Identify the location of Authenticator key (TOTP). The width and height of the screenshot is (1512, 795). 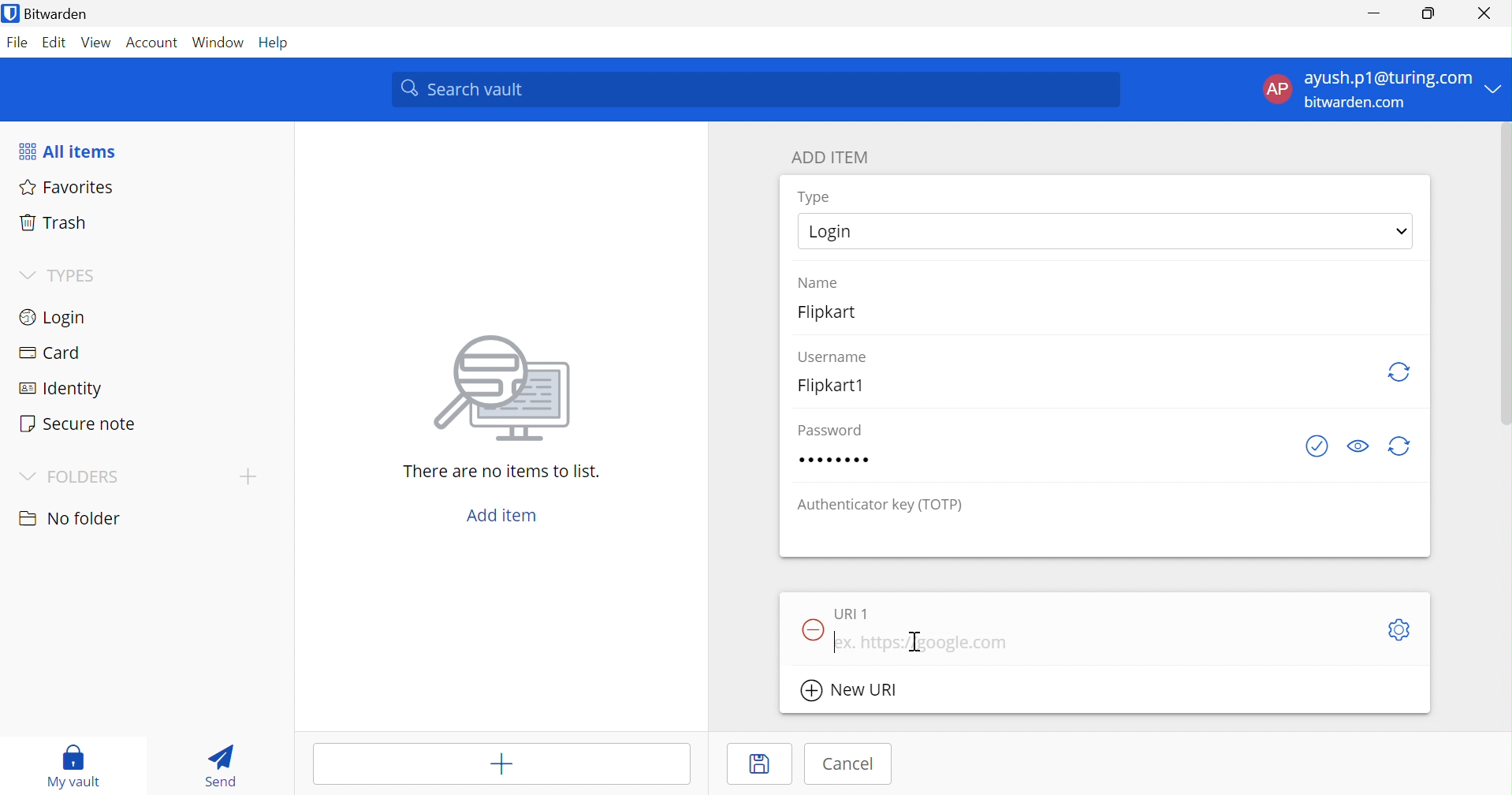
(881, 506).